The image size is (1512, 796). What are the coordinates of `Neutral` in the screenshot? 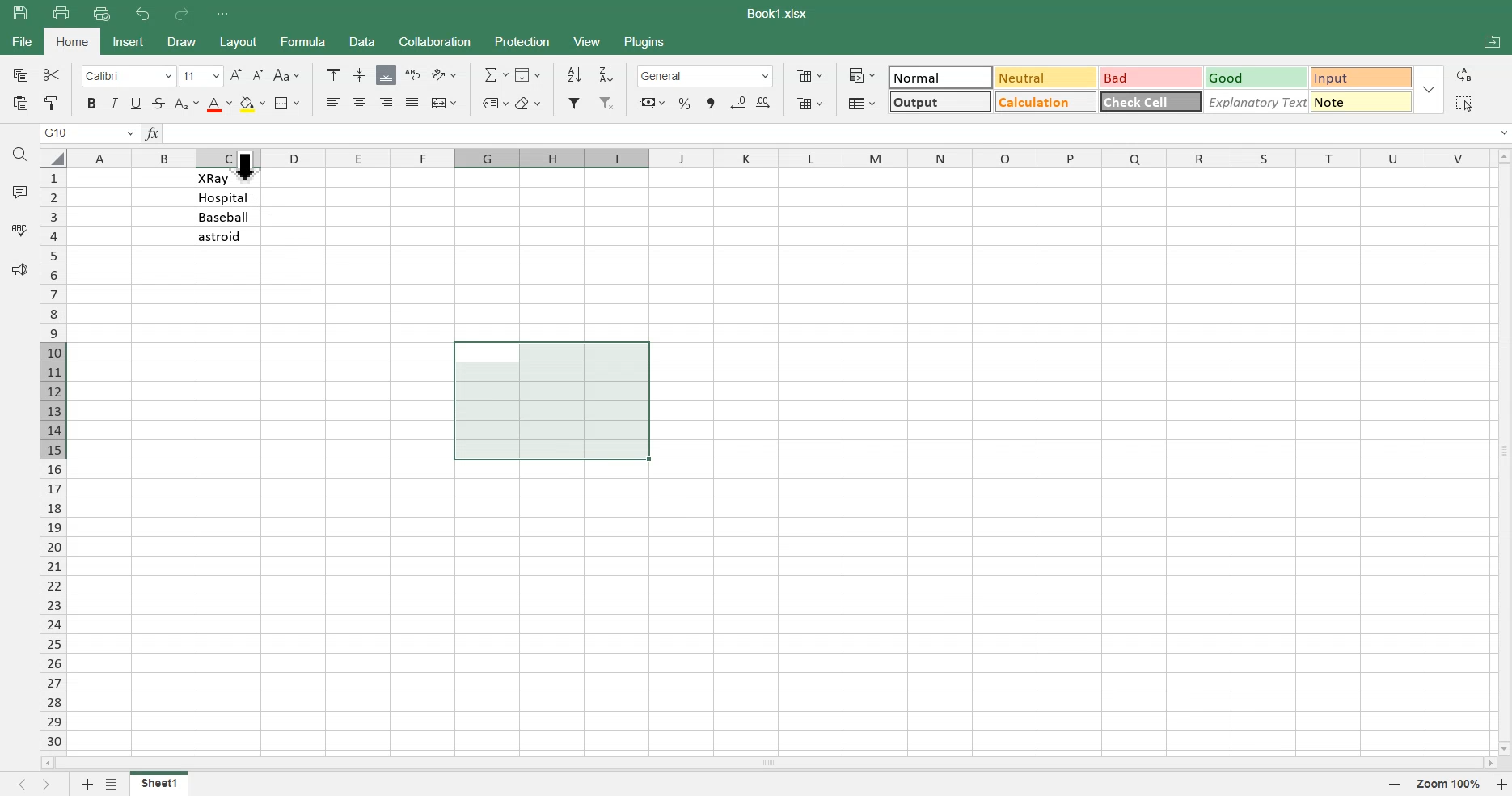 It's located at (1043, 78).